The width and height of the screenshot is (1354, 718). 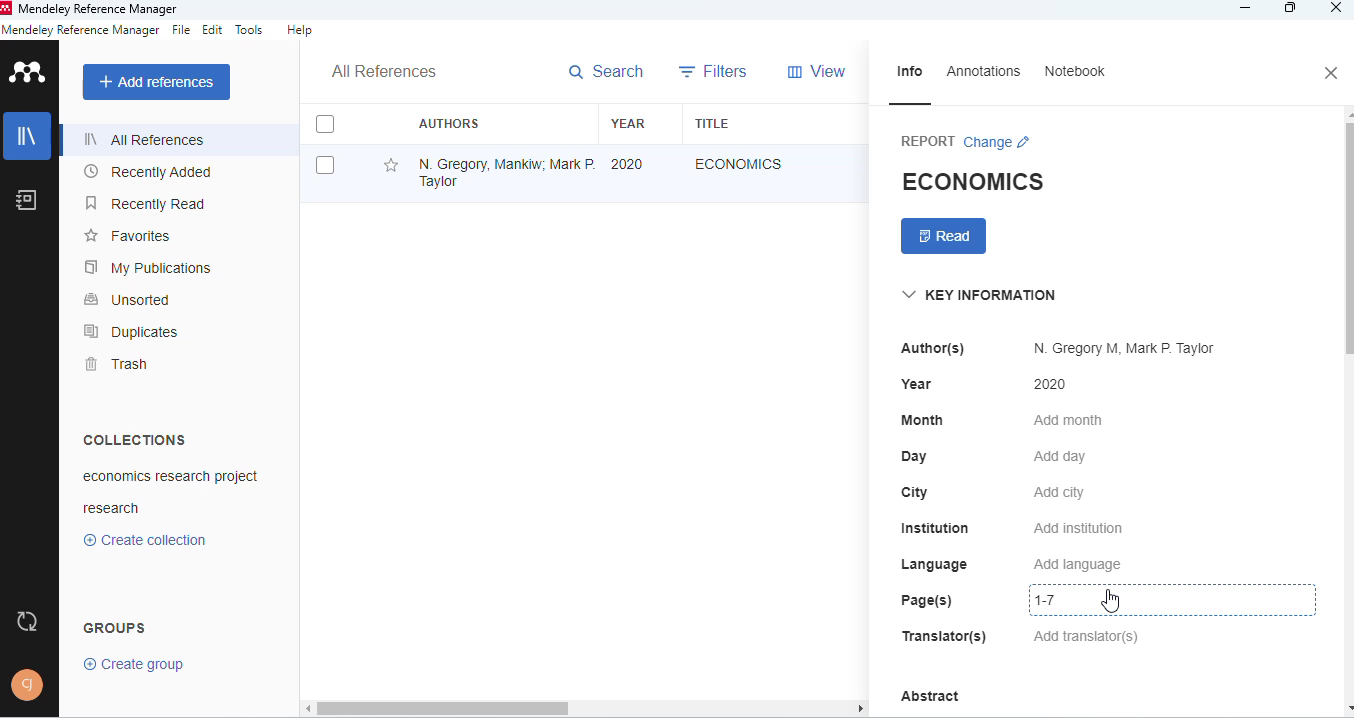 I want to click on scrollbar, so click(x=1346, y=233).